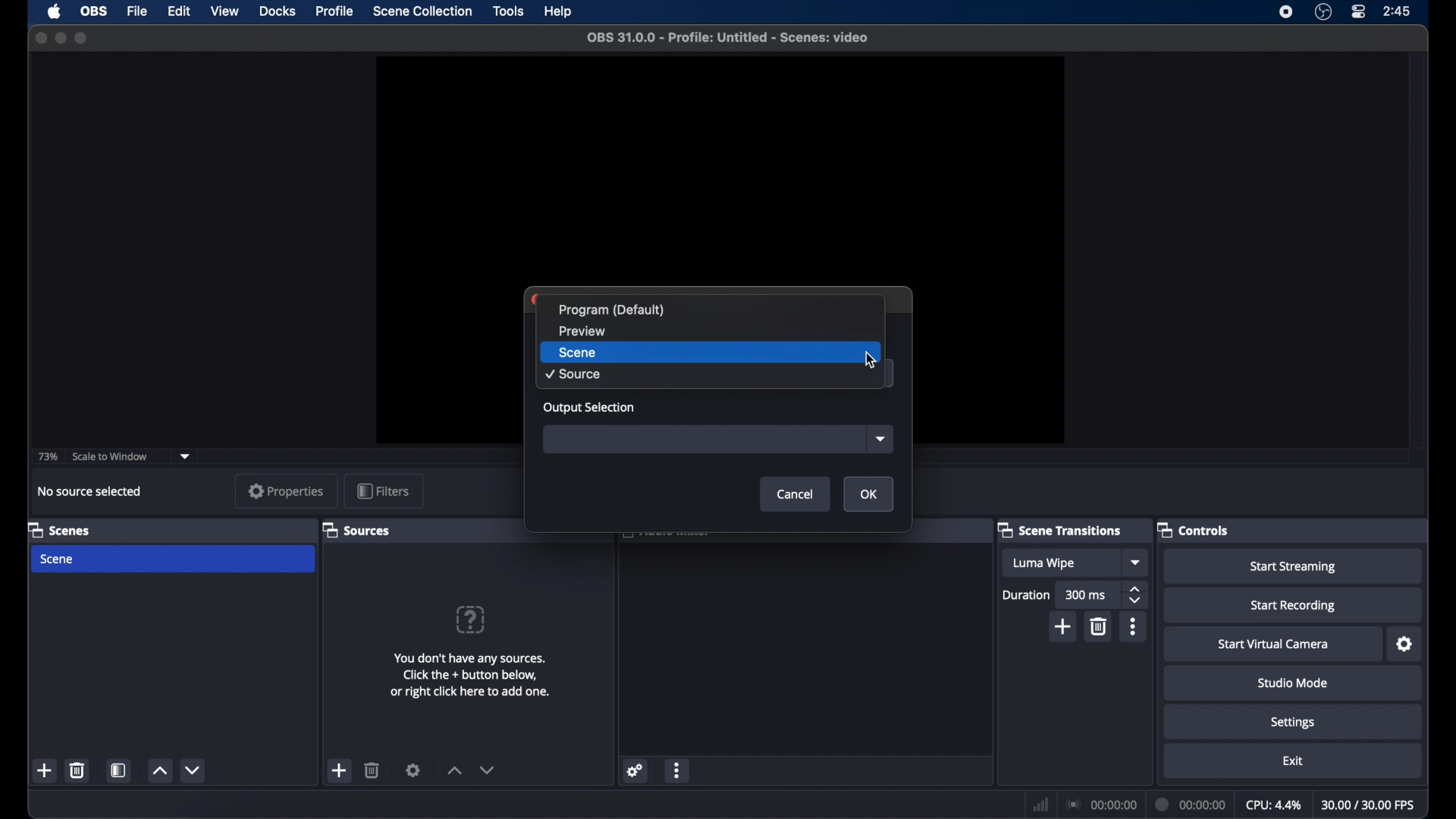  Describe the element at coordinates (278, 12) in the screenshot. I see `docks` at that location.